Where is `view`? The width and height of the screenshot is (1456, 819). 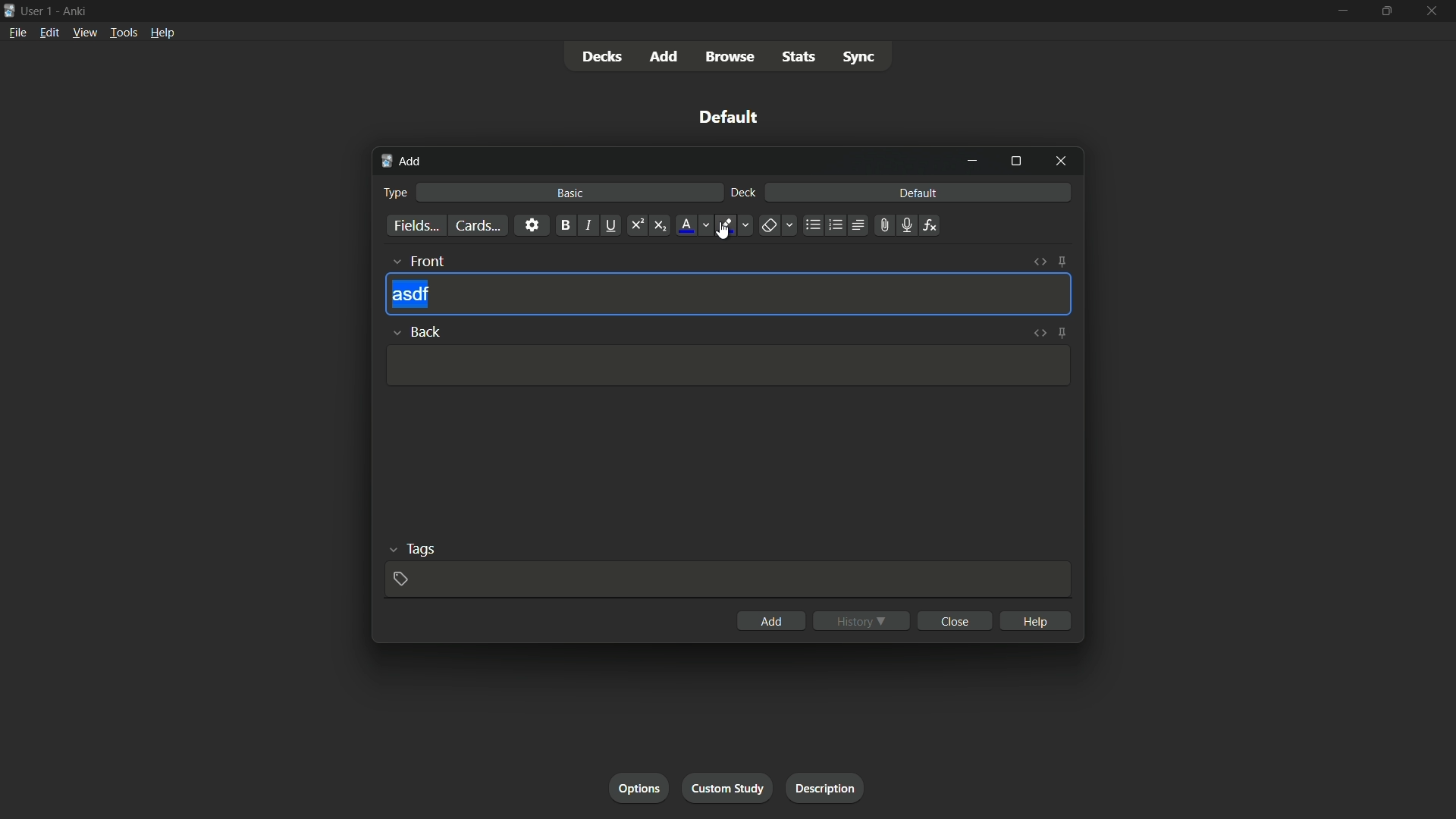 view is located at coordinates (85, 33).